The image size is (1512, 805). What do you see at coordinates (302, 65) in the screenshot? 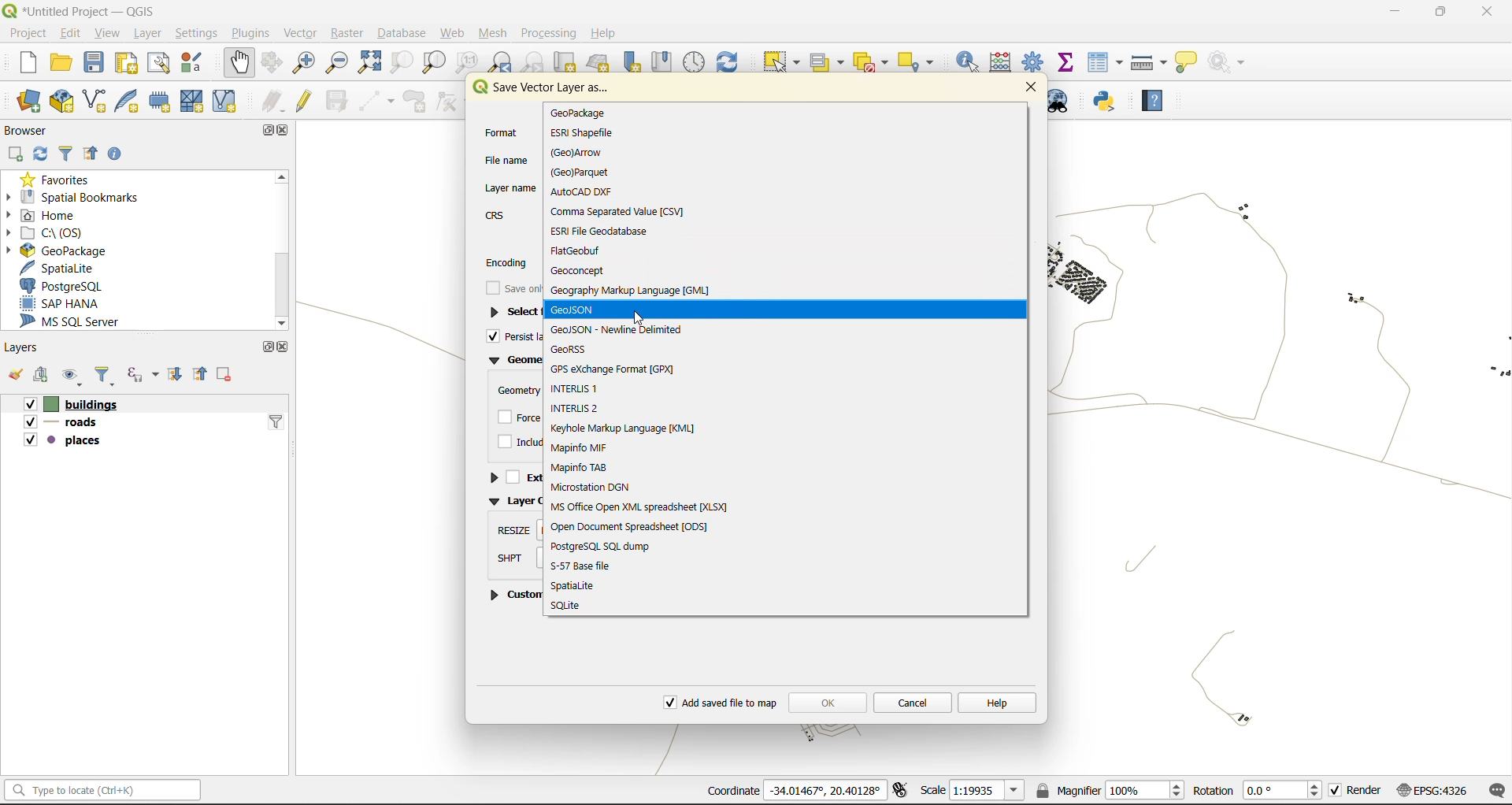
I see `zoom in` at bounding box center [302, 65].